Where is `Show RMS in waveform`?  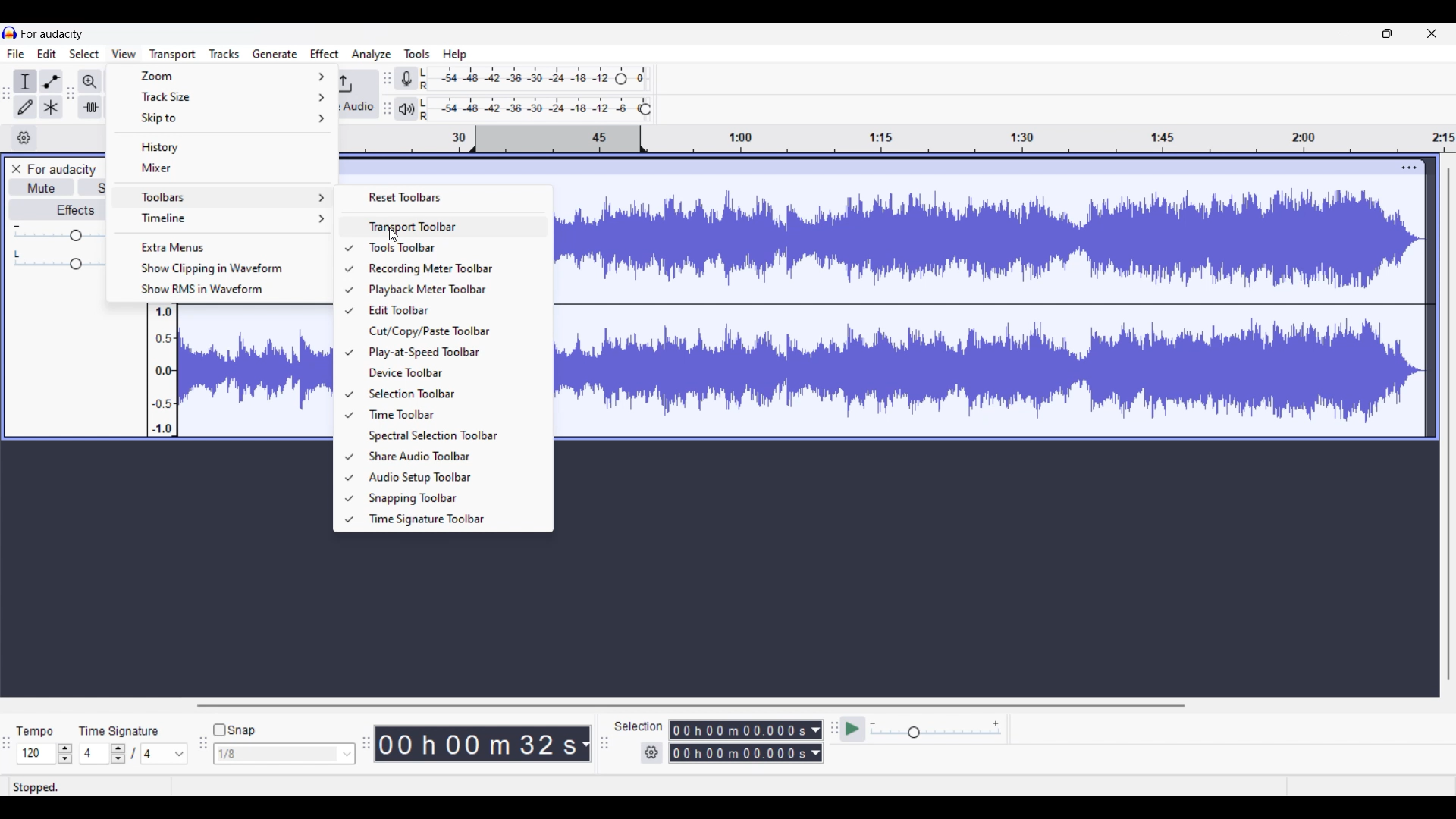
Show RMS in waveform is located at coordinates (219, 290).